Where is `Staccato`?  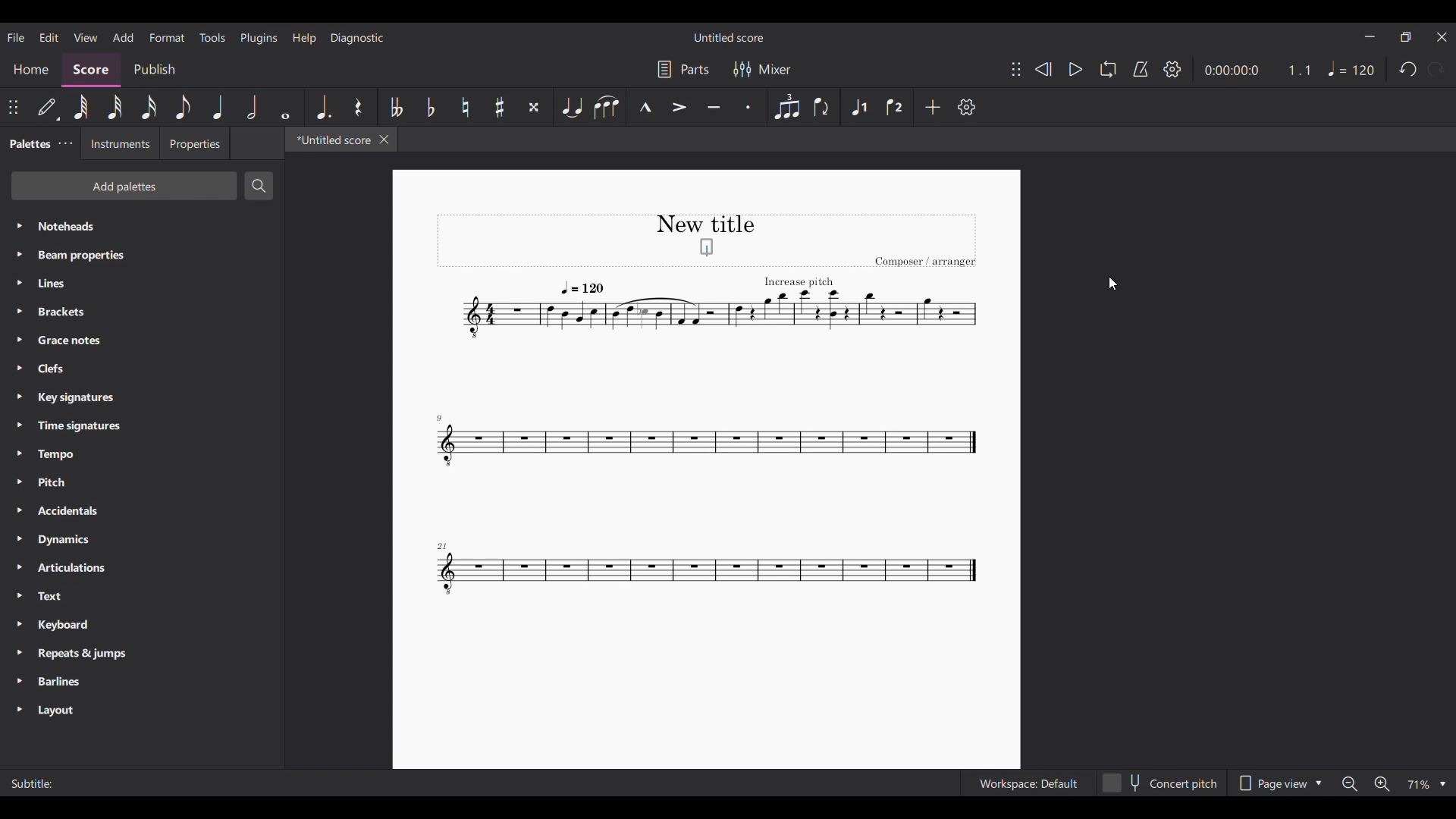
Staccato is located at coordinates (748, 107).